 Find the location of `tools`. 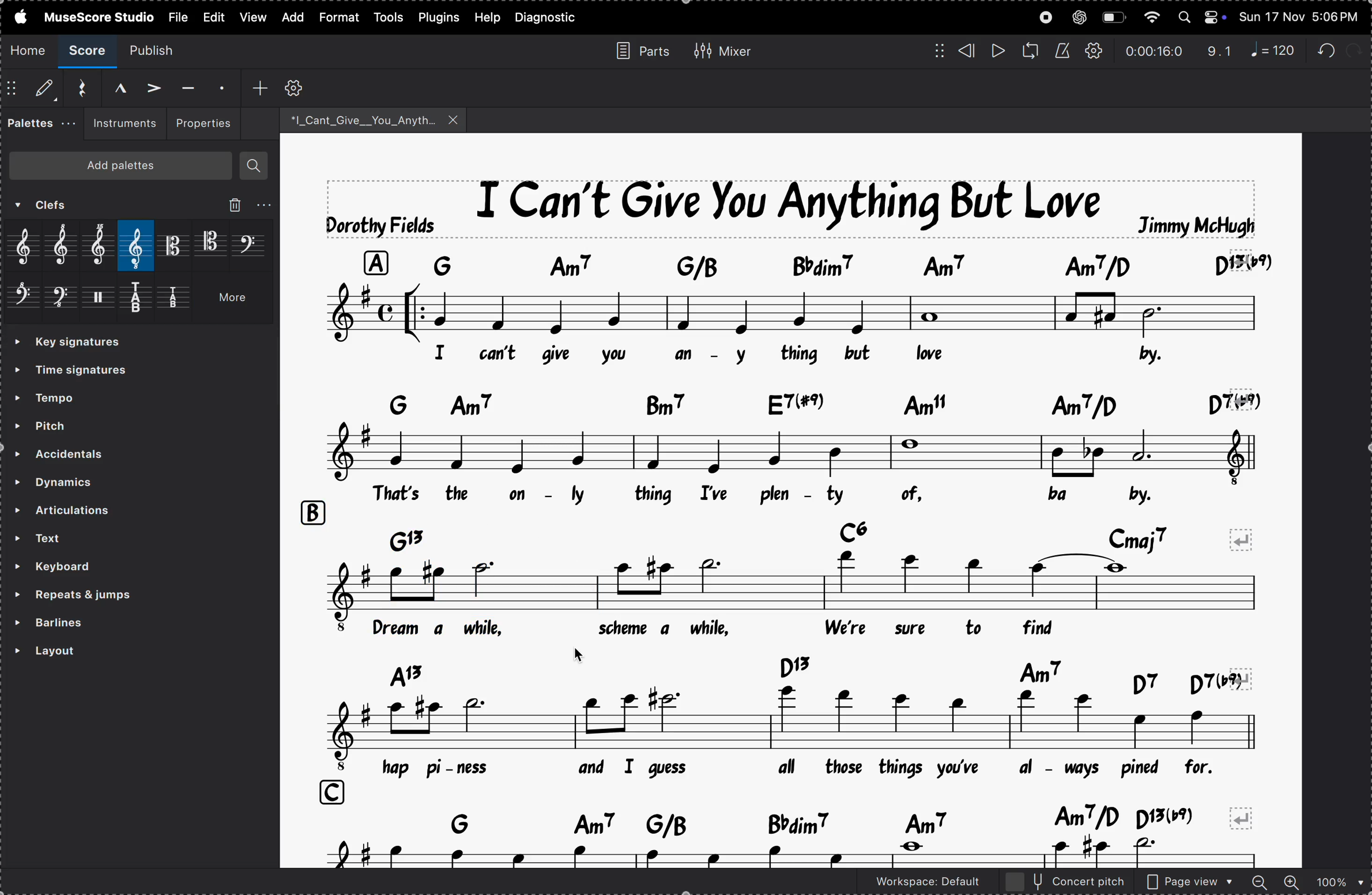

tools is located at coordinates (390, 17).